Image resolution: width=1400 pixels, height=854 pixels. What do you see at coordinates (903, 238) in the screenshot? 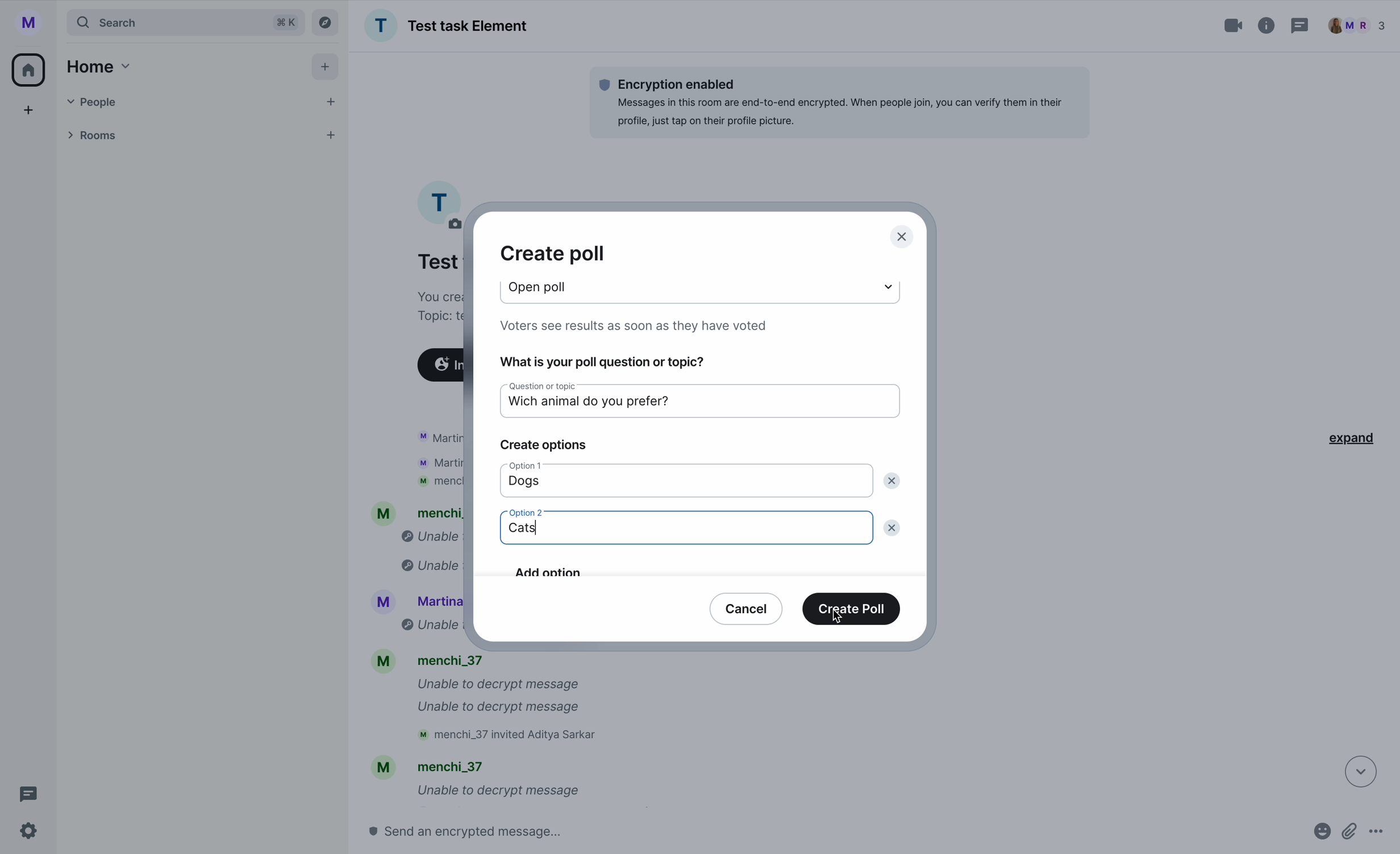
I see `close pop-up` at bounding box center [903, 238].